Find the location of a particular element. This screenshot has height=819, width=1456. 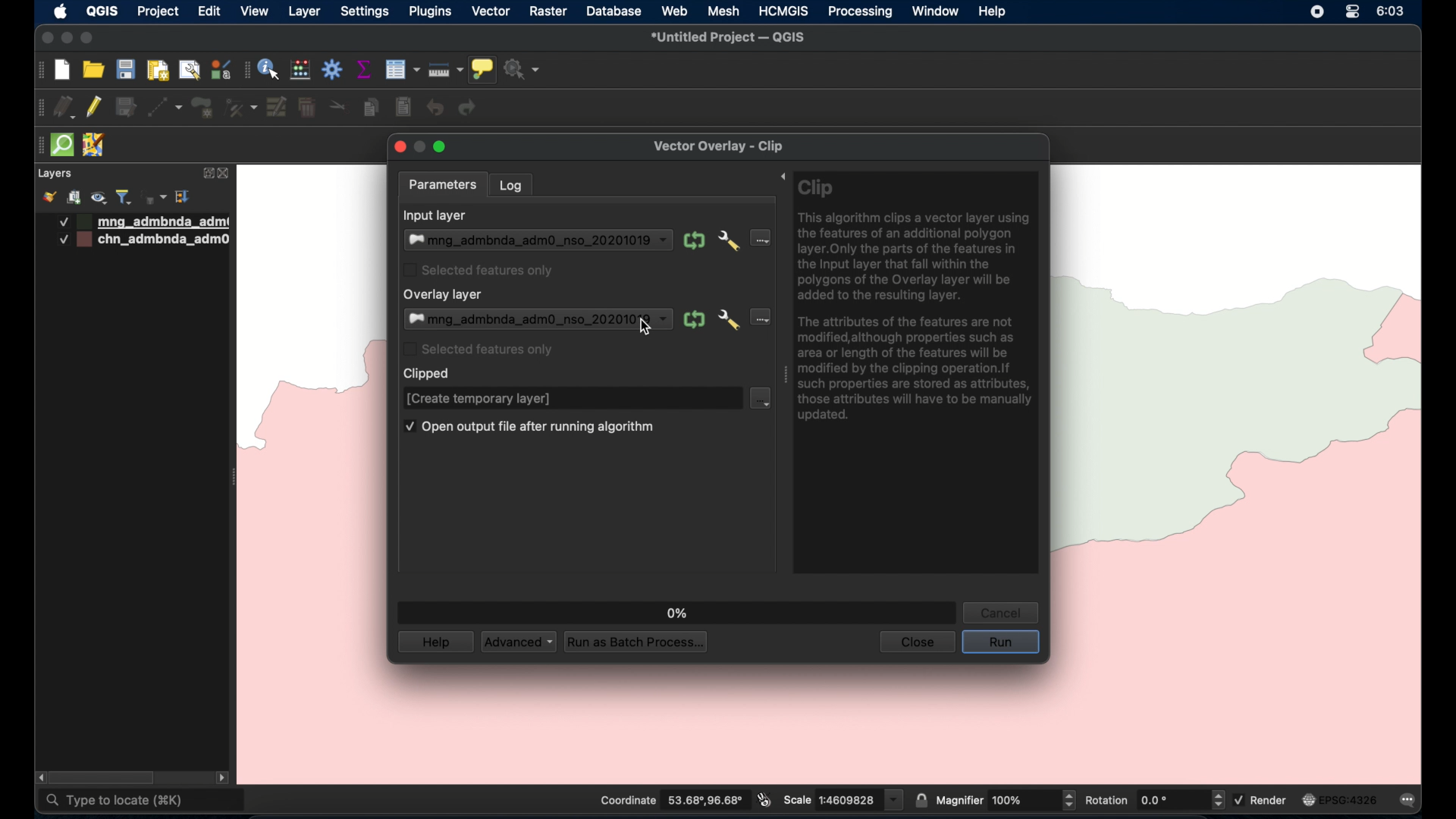

toggle editing is located at coordinates (93, 106).